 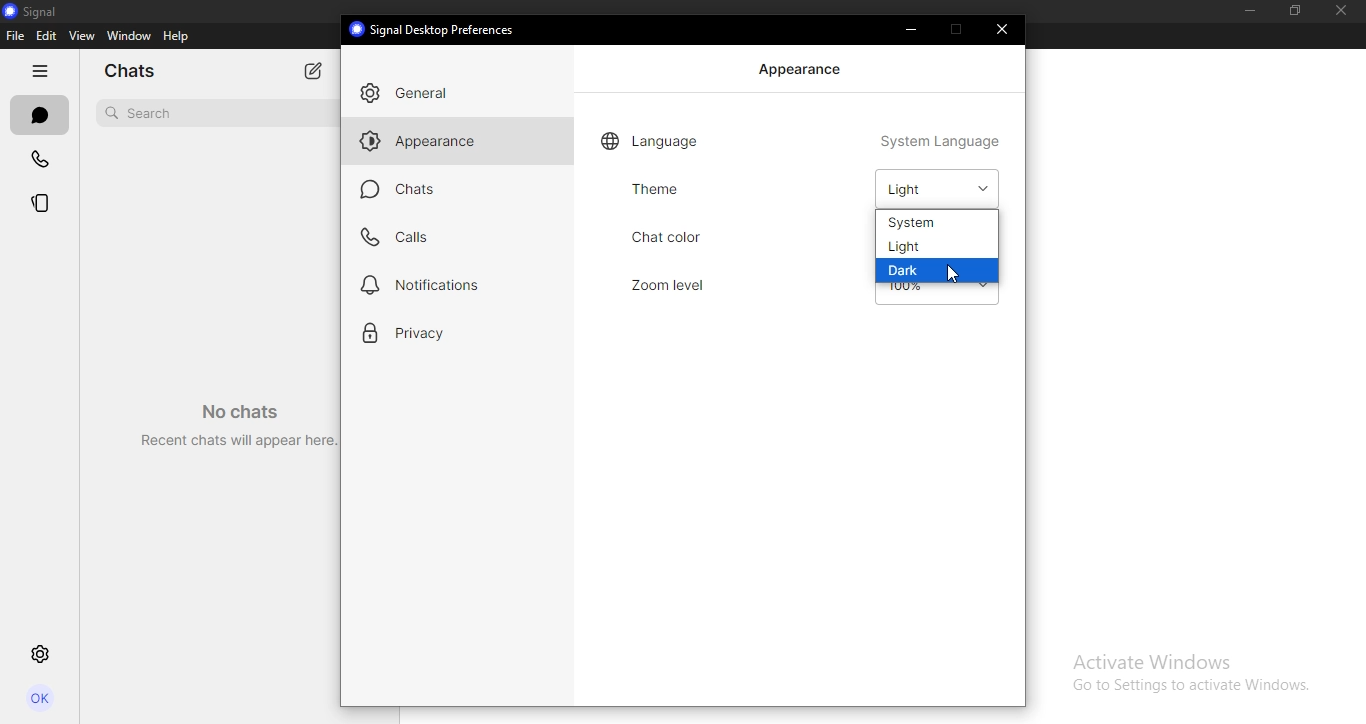 What do you see at coordinates (1005, 30) in the screenshot?
I see `close` at bounding box center [1005, 30].